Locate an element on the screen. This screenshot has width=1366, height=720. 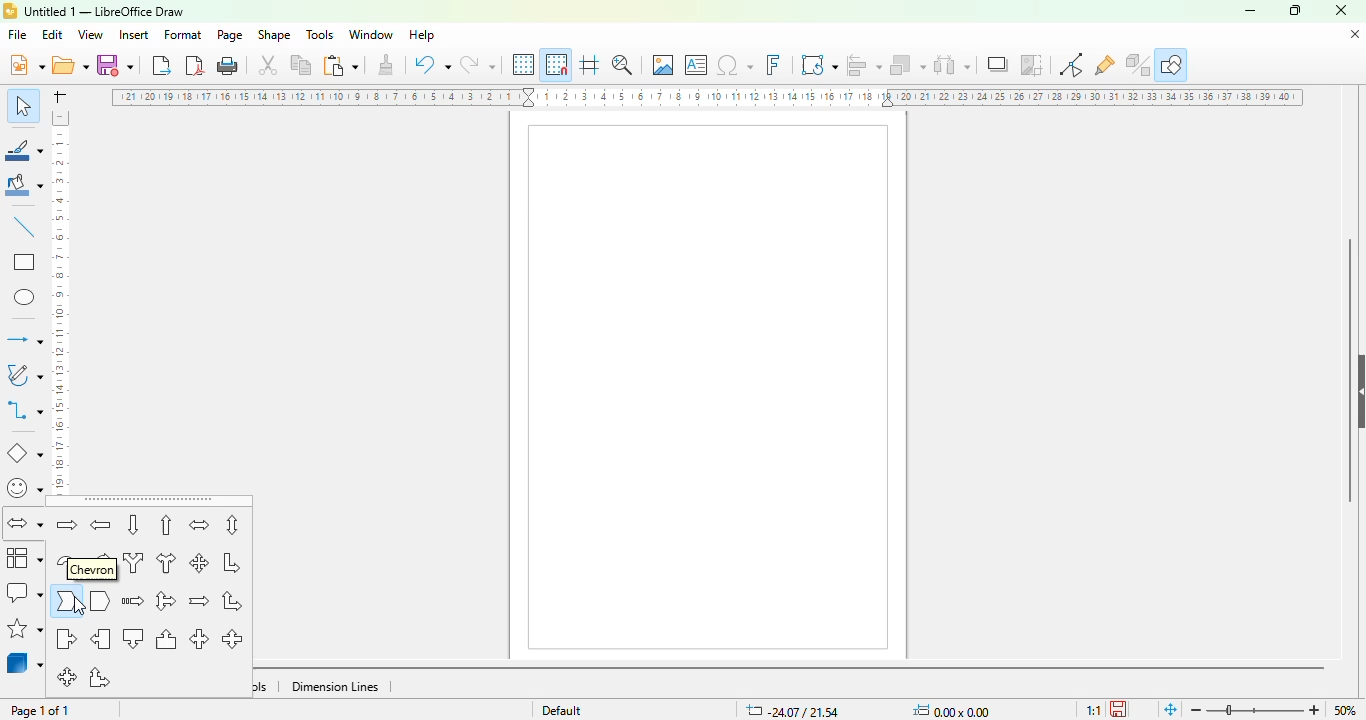
up and down arrow callout is located at coordinates (233, 639).